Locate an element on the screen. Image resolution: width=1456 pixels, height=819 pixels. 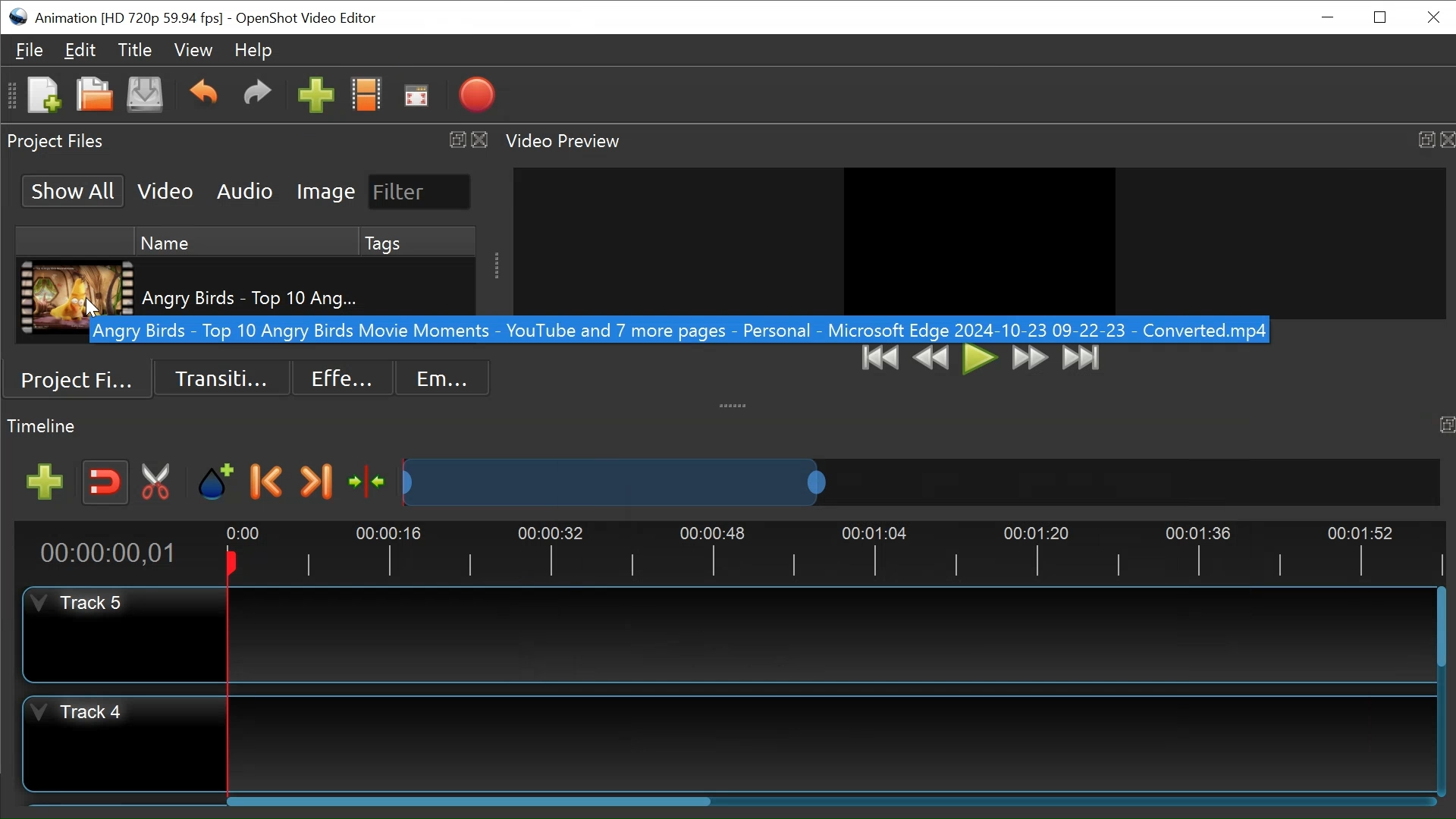
preview window is located at coordinates (986, 239).